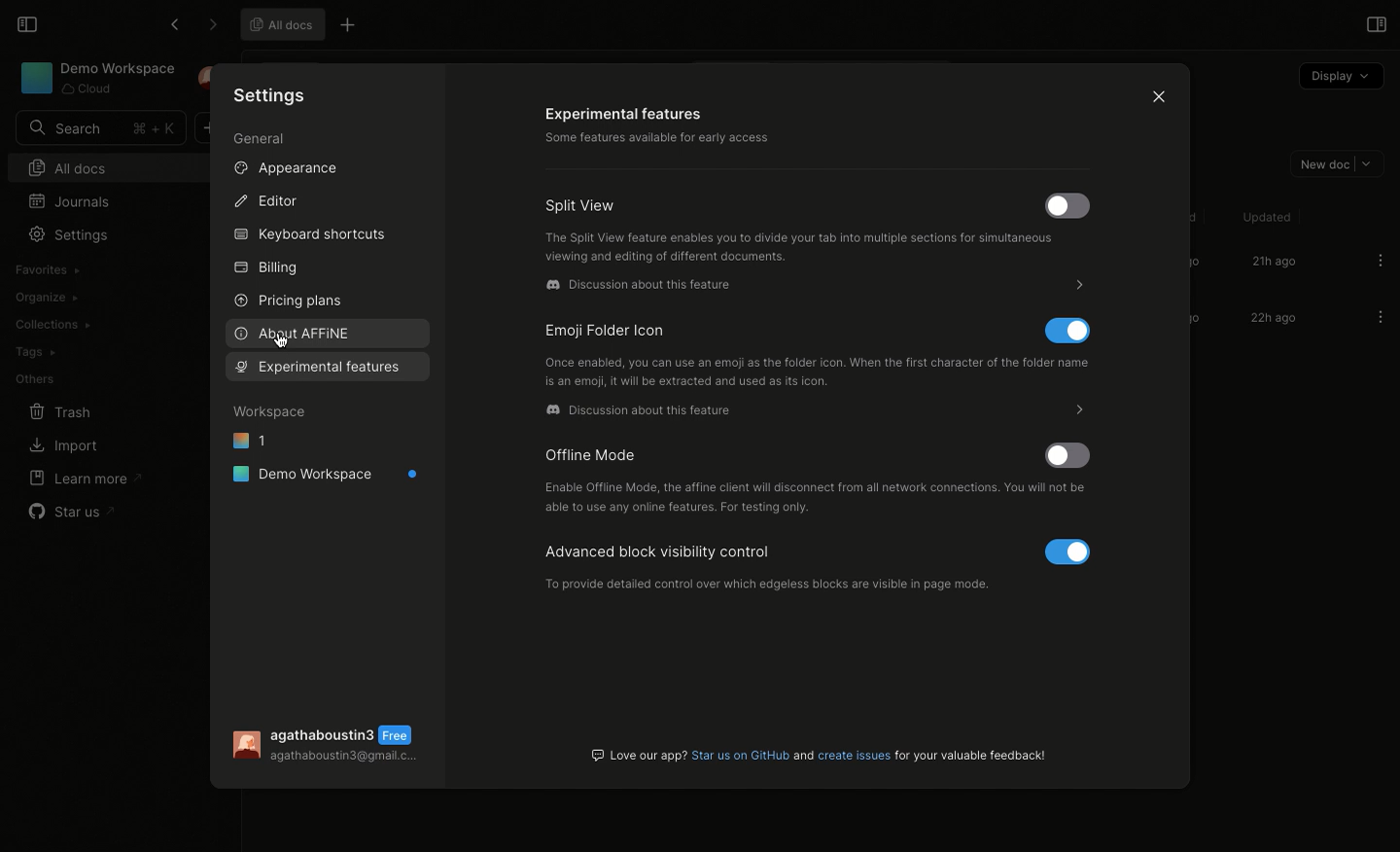 The height and width of the screenshot is (852, 1400). I want to click on Billing, so click(266, 270).